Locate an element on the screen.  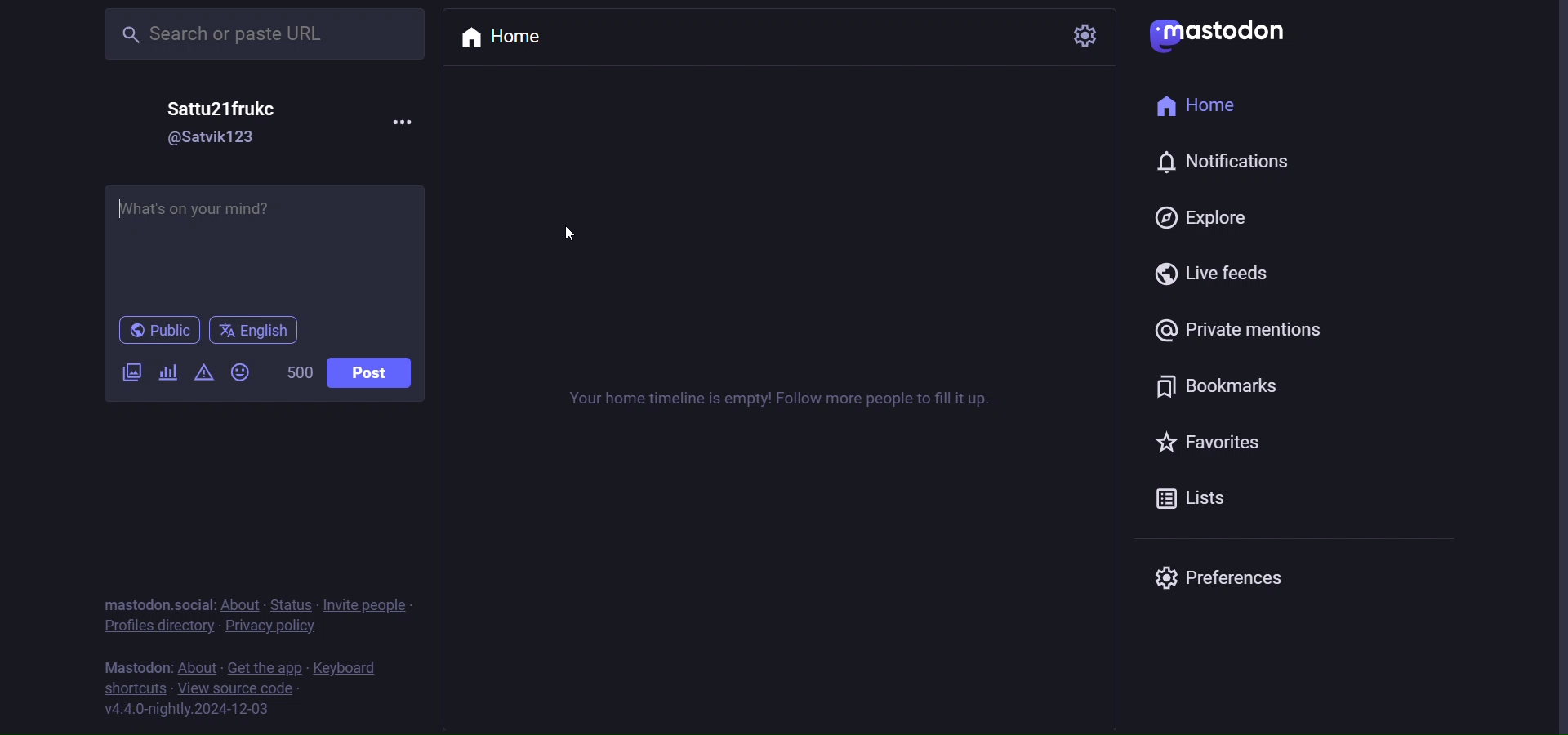
privacy policy is located at coordinates (271, 626).